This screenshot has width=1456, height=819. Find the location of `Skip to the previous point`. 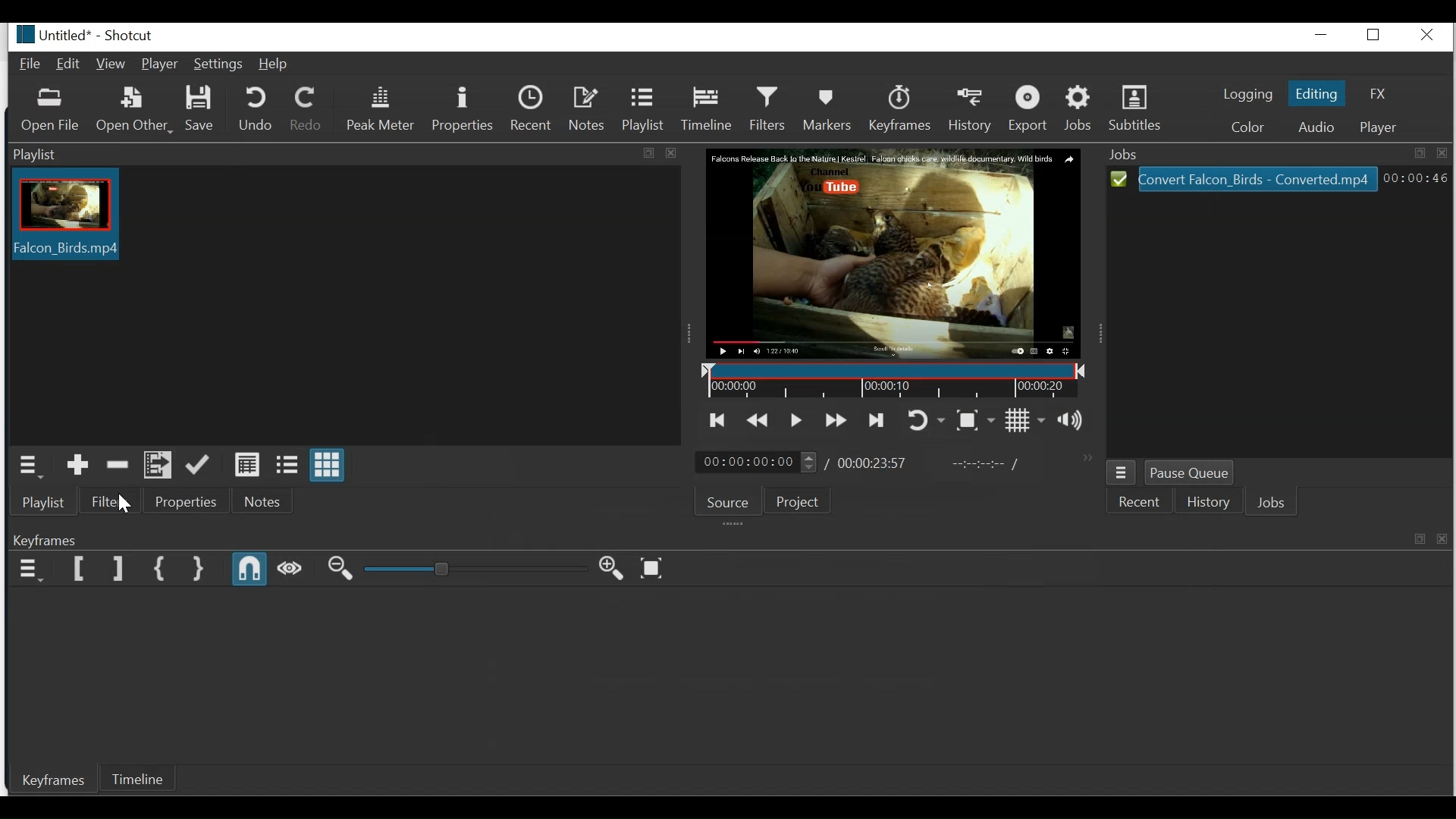

Skip to the previous point is located at coordinates (717, 422).